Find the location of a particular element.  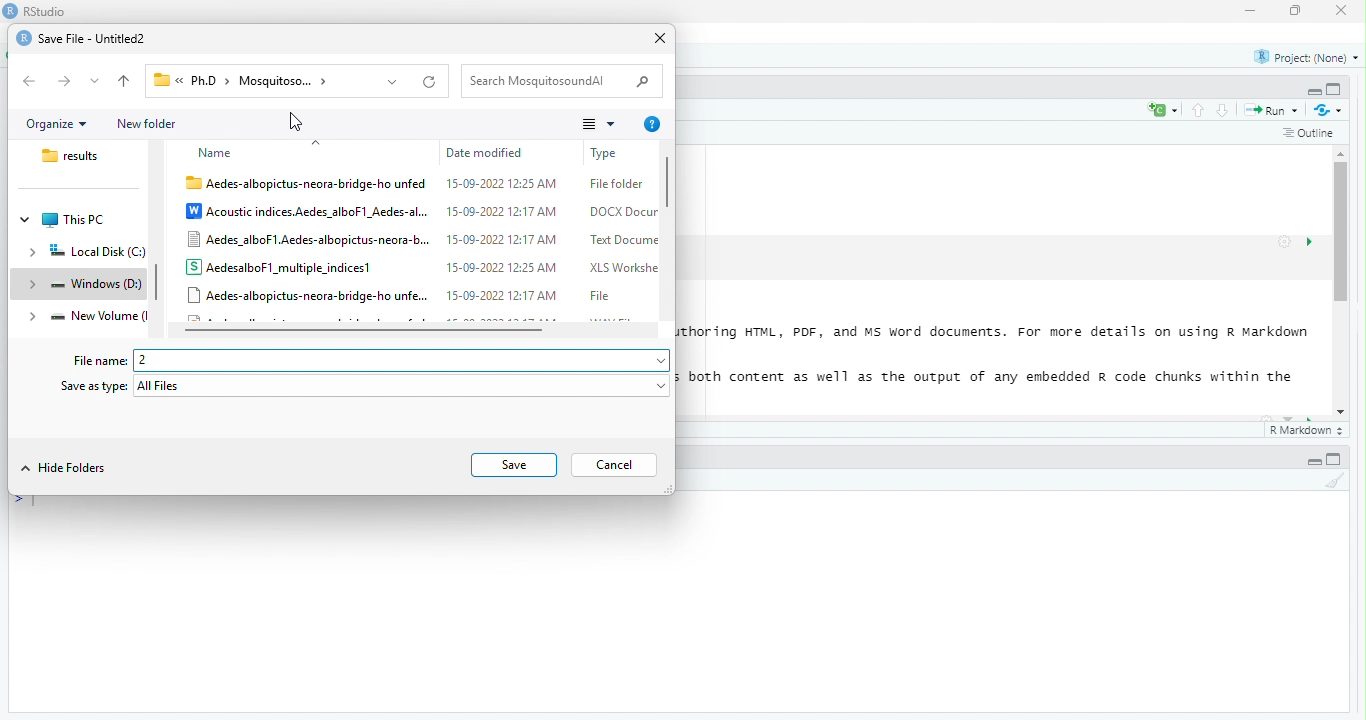

Project: (None) is located at coordinates (1307, 58).